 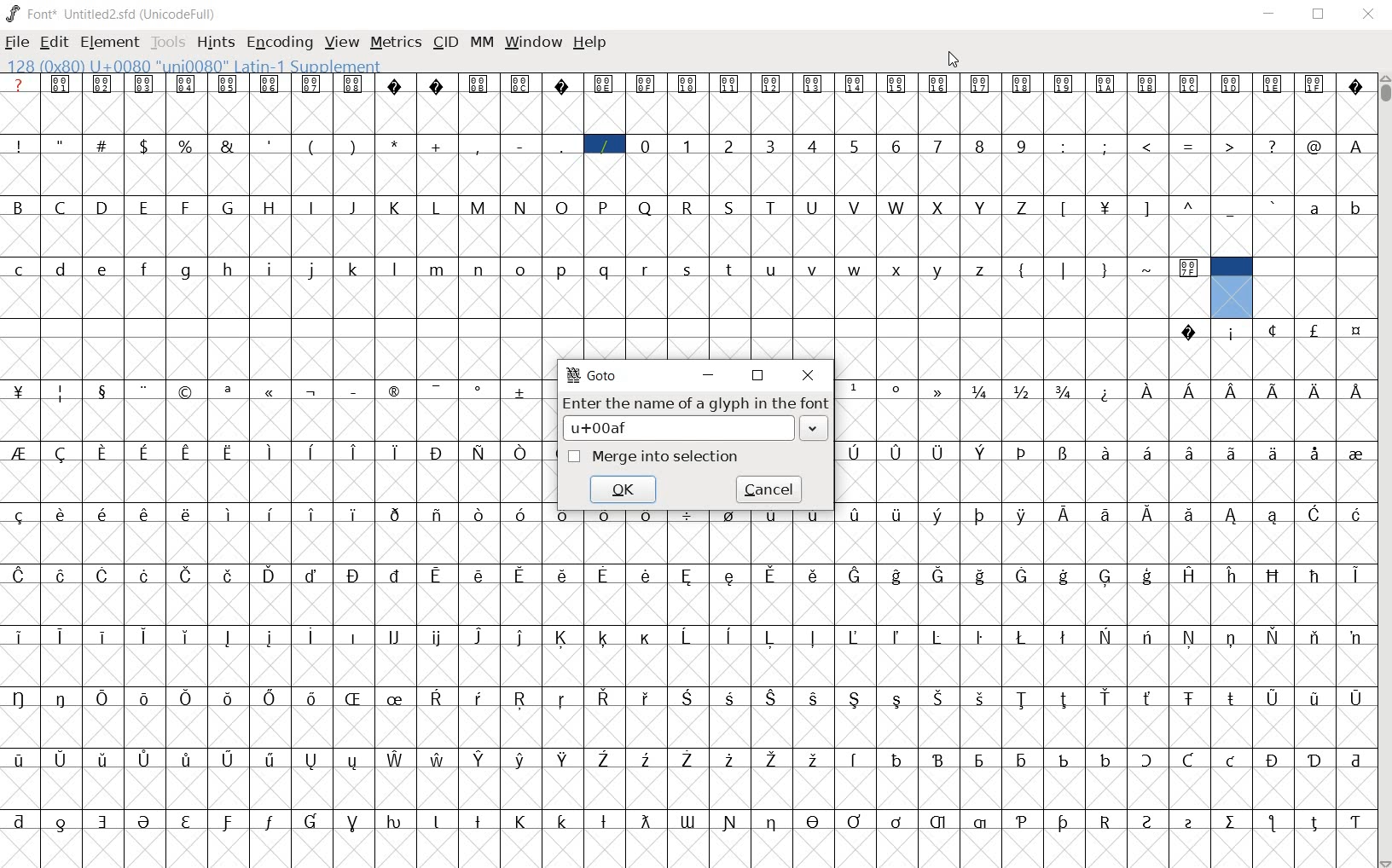 What do you see at coordinates (942, 757) in the screenshot?
I see `Symbol` at bounding box center [942, 757].